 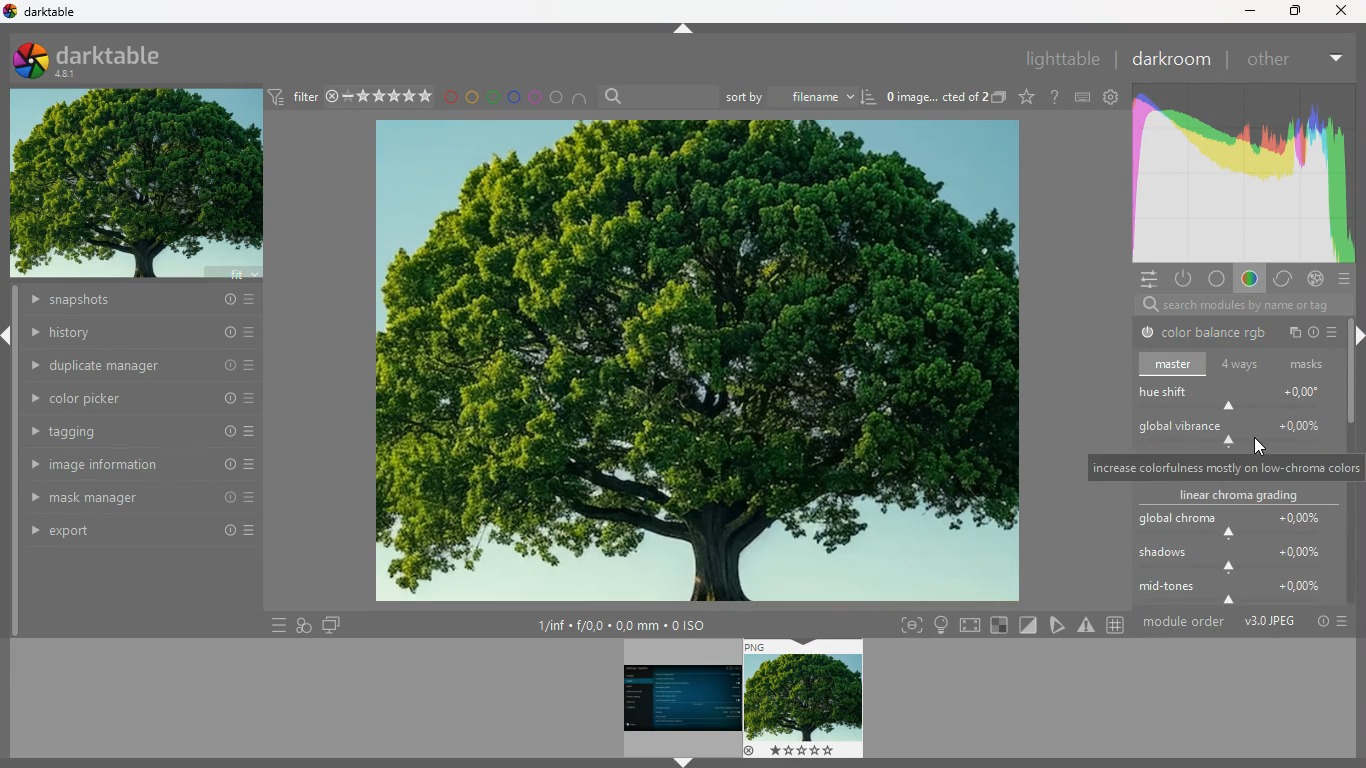 I want to click on search, so click(x=657, y=97).